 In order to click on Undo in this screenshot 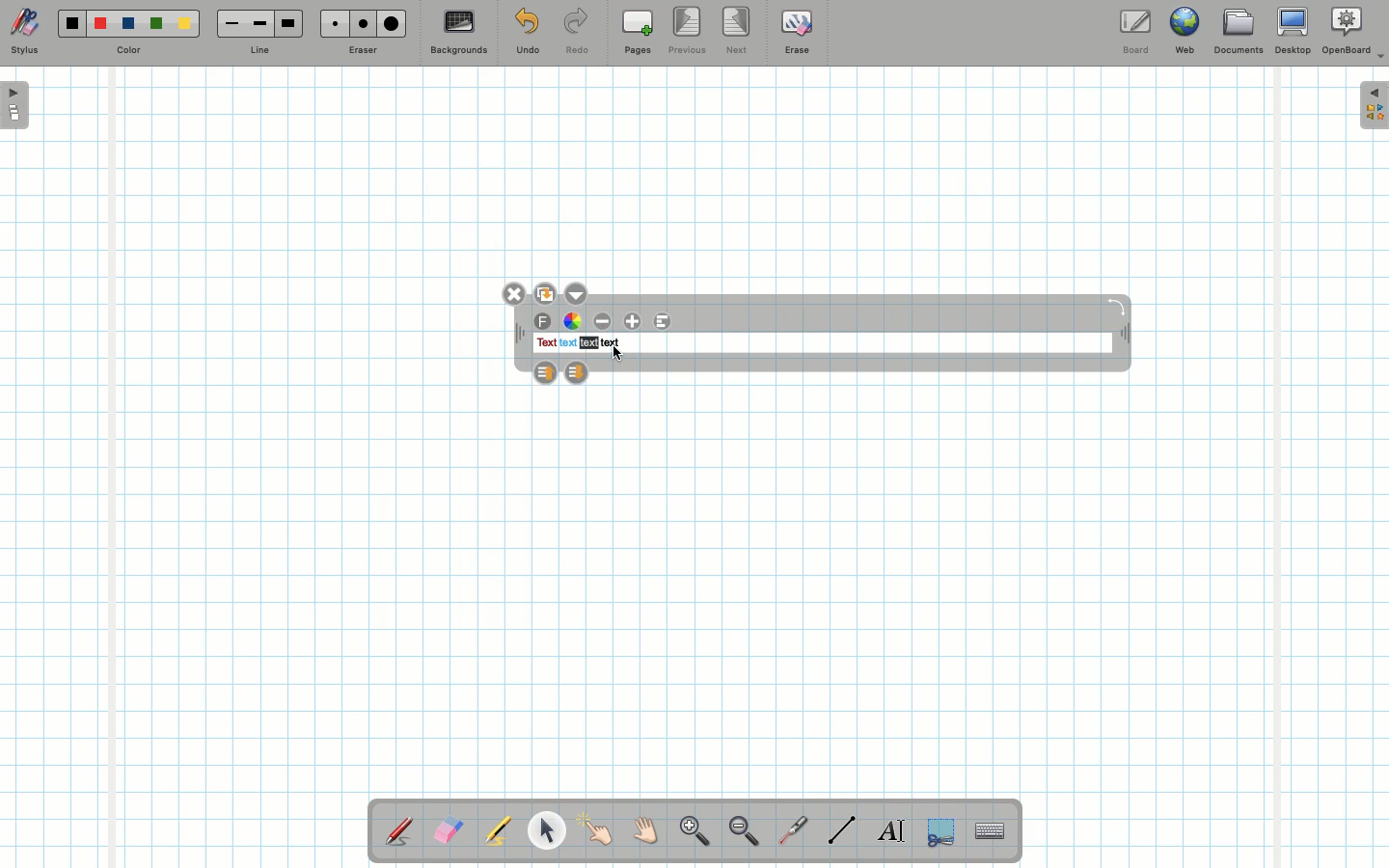, I will do `click(527, 35)`.